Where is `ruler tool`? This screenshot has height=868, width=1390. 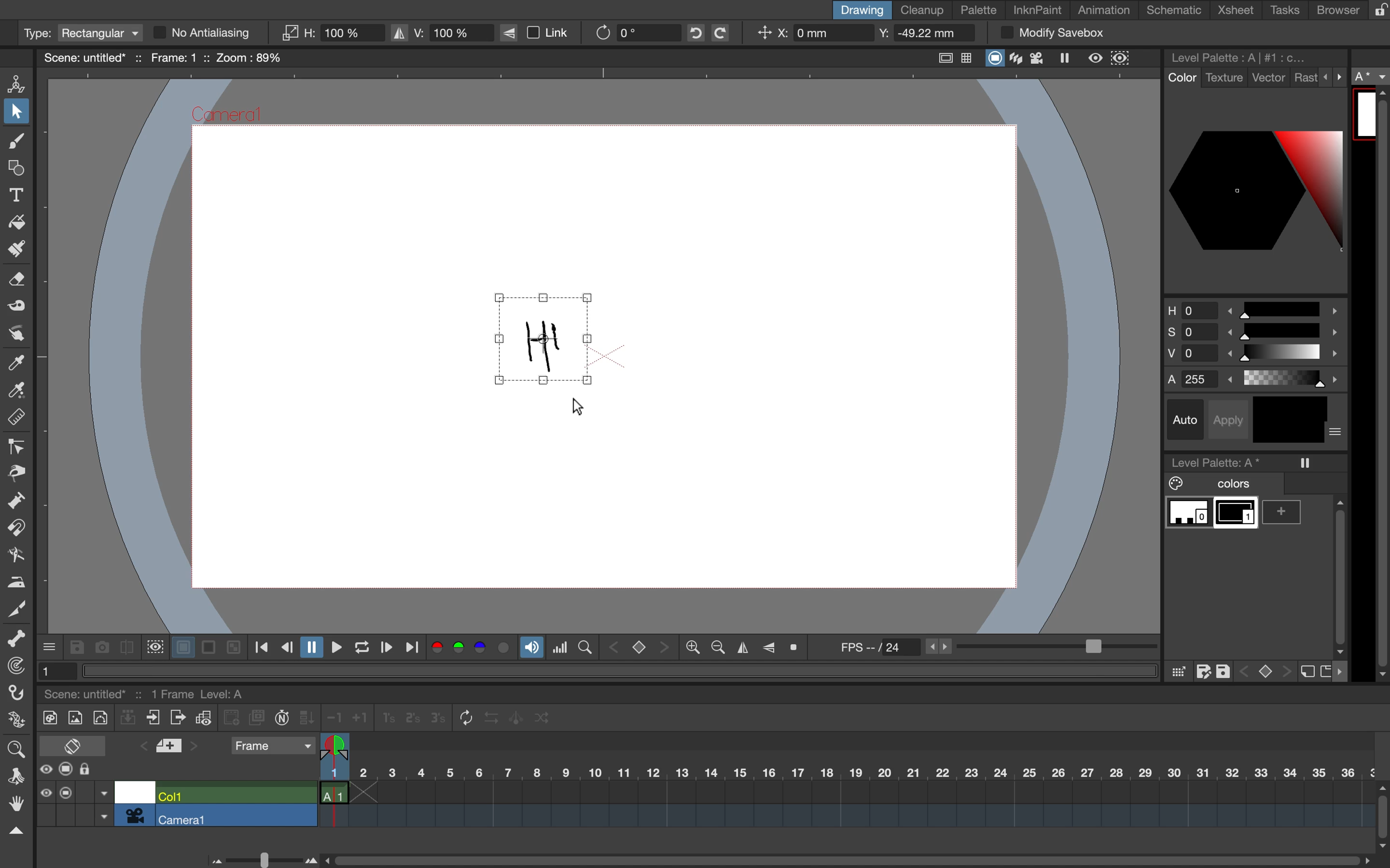
ruler tool is located at coordinates (17, 419).